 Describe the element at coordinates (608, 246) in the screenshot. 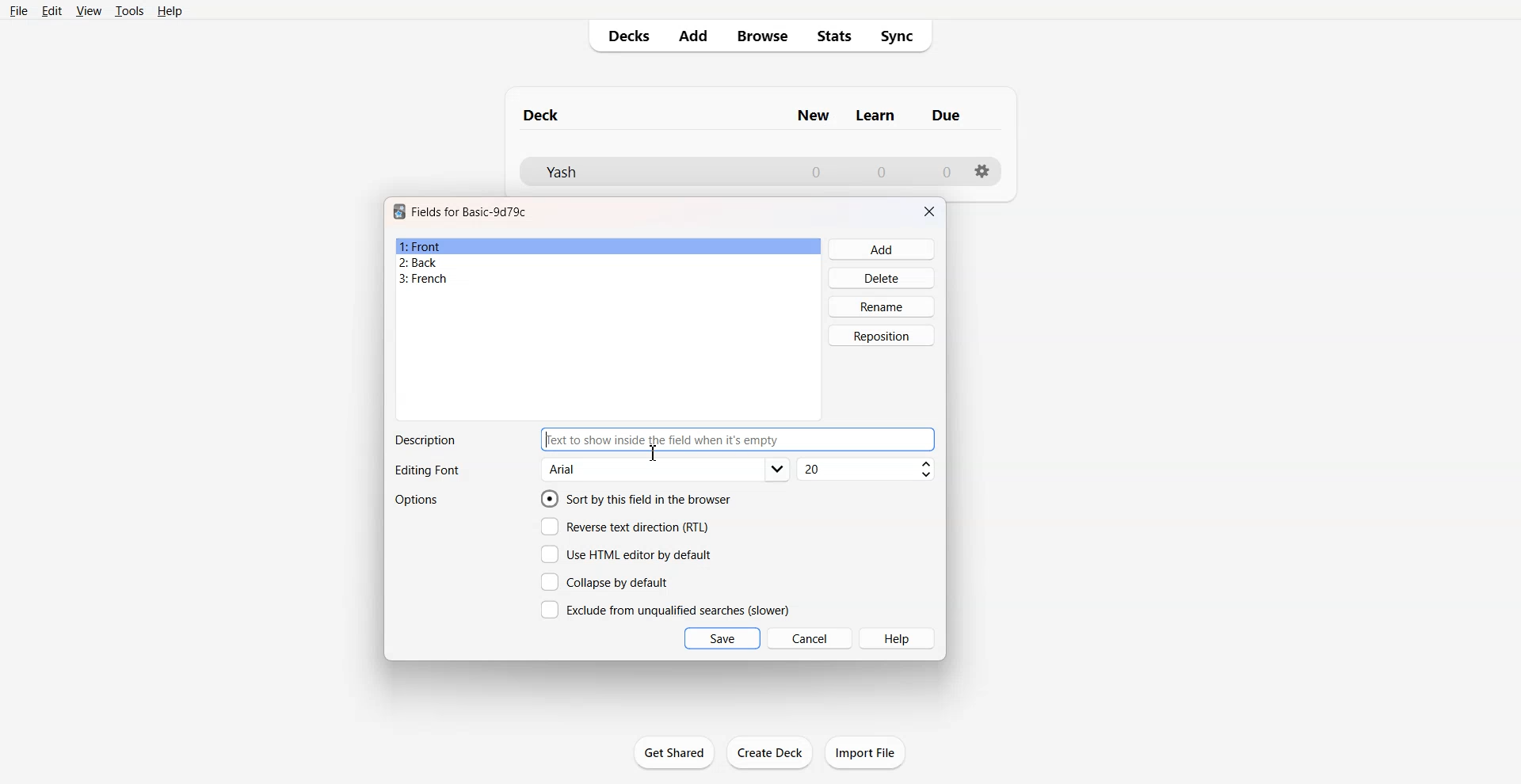

I see `Front` at that location.